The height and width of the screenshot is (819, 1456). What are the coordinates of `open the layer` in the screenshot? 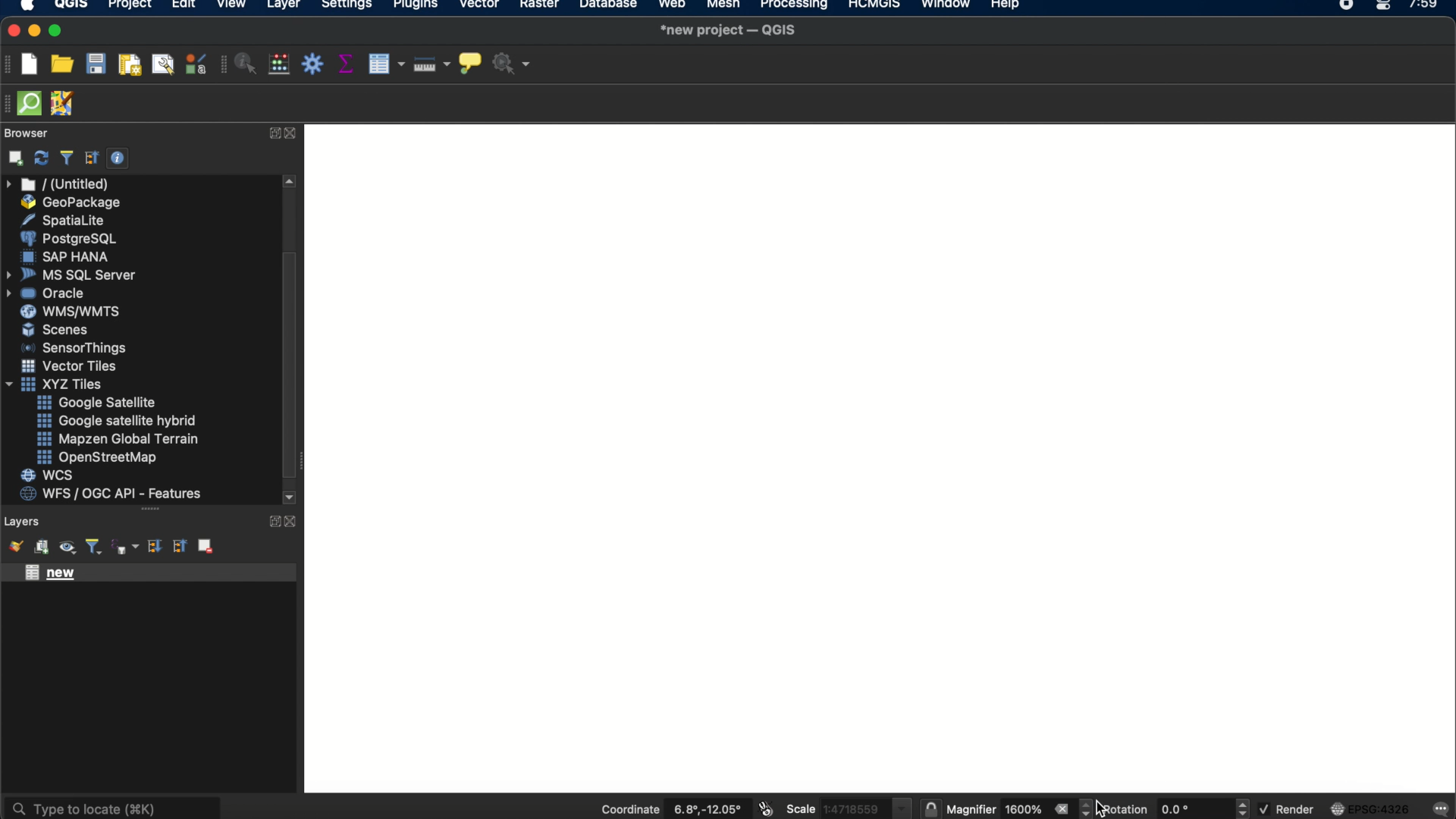 It's located at (12, 546).